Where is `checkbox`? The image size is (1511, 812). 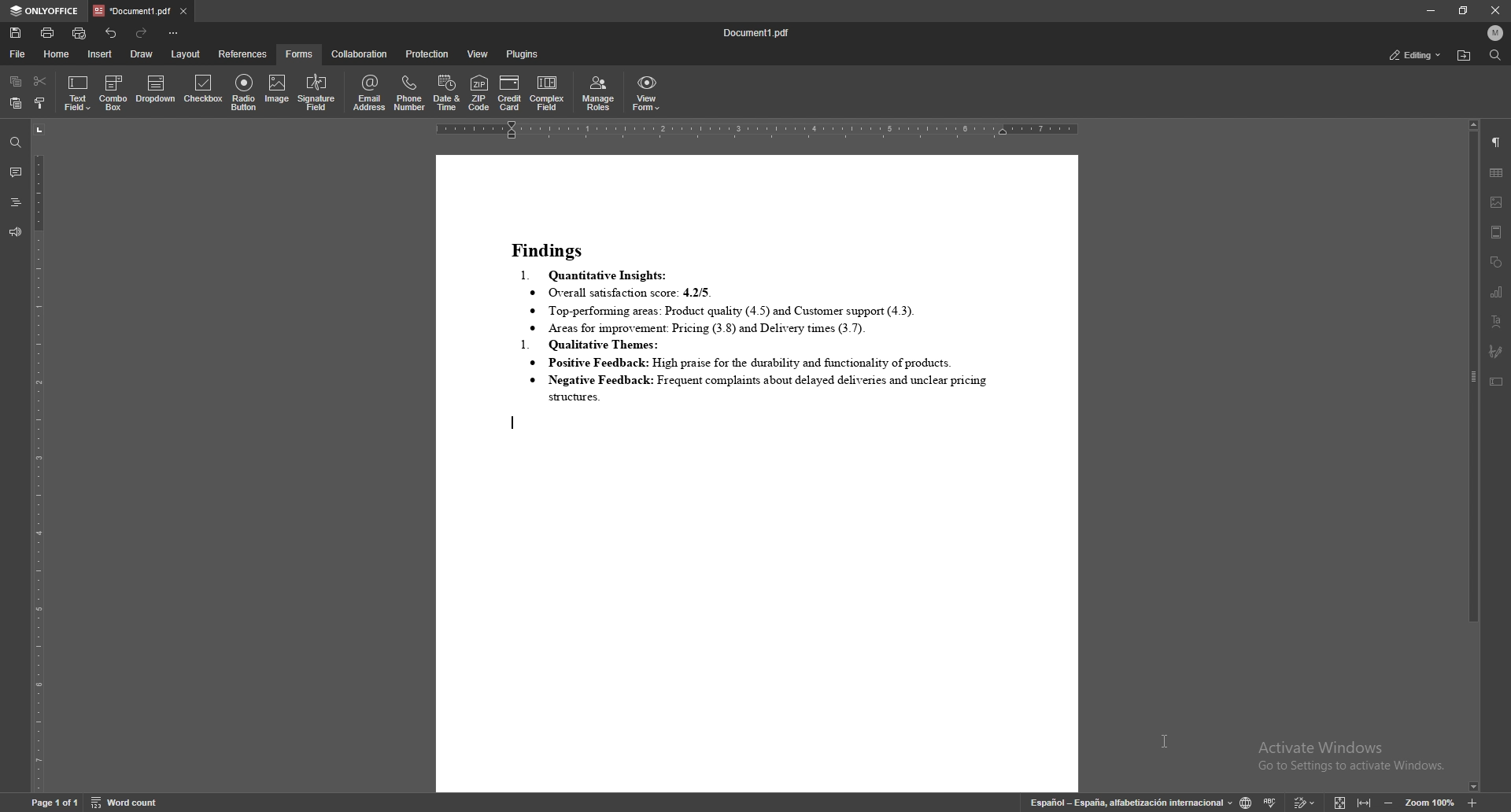 checkbox is located at coordinates (203, 91).